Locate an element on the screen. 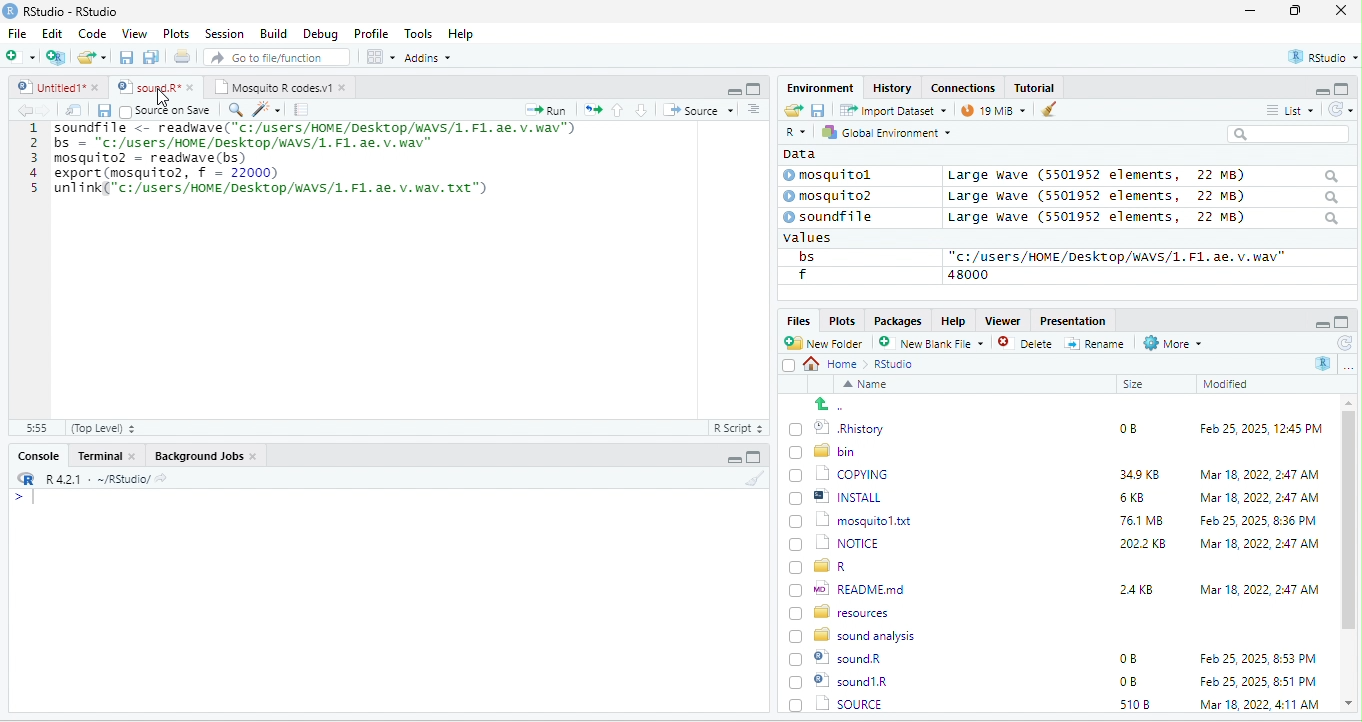  © Untitied1* » is located at coordinates (54, 87).